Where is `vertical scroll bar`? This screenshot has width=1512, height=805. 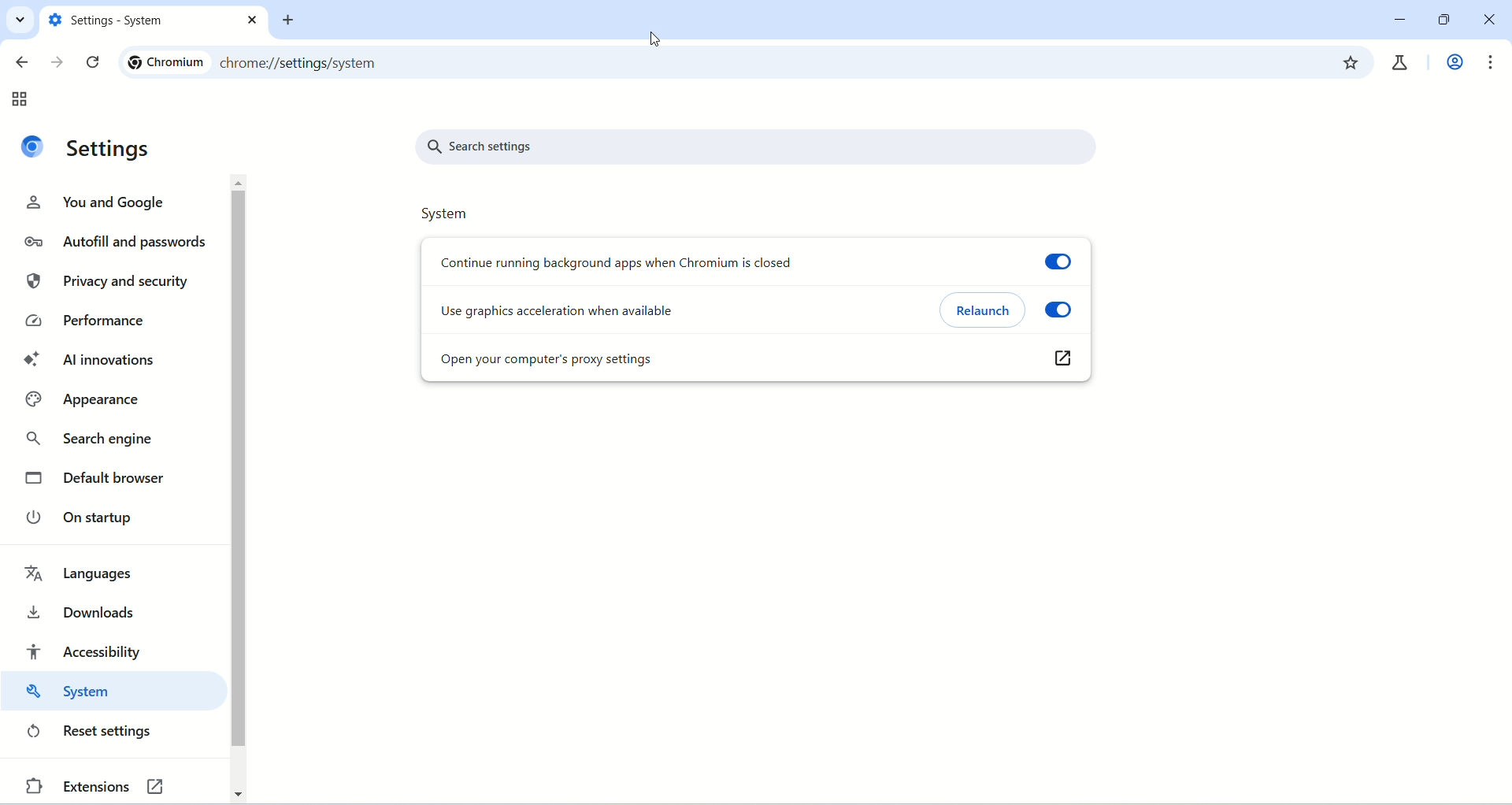
vertical scroll bar is located at coordinates (243, 488).